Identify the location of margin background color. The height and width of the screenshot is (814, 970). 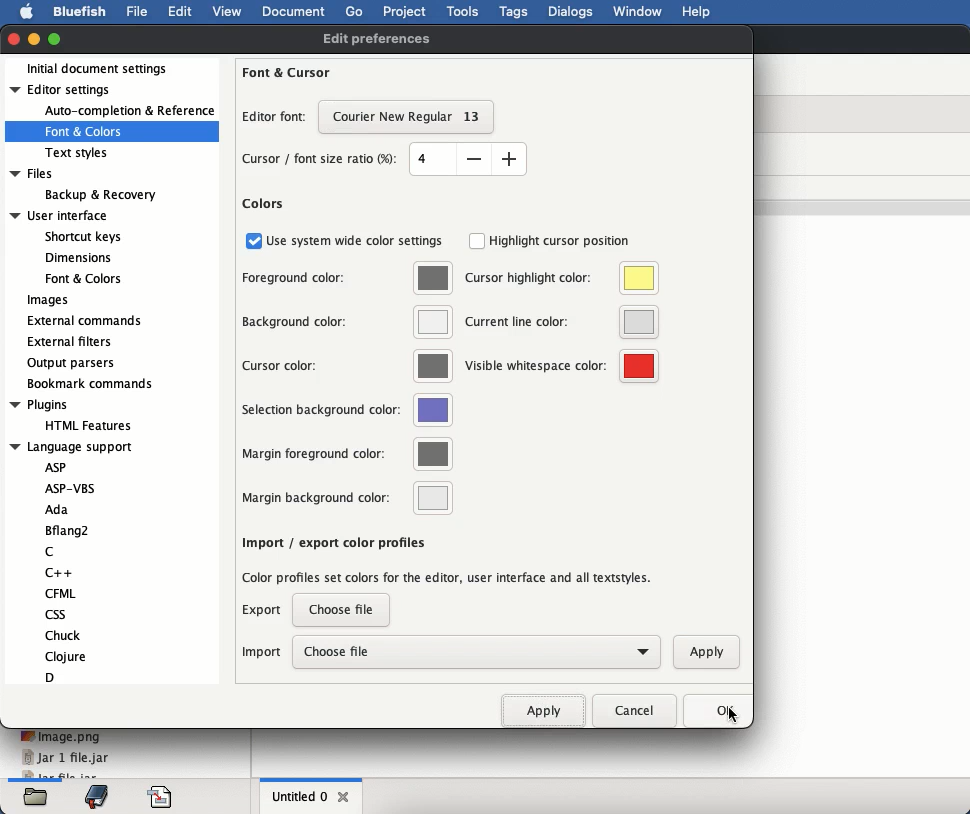
(346, 497).